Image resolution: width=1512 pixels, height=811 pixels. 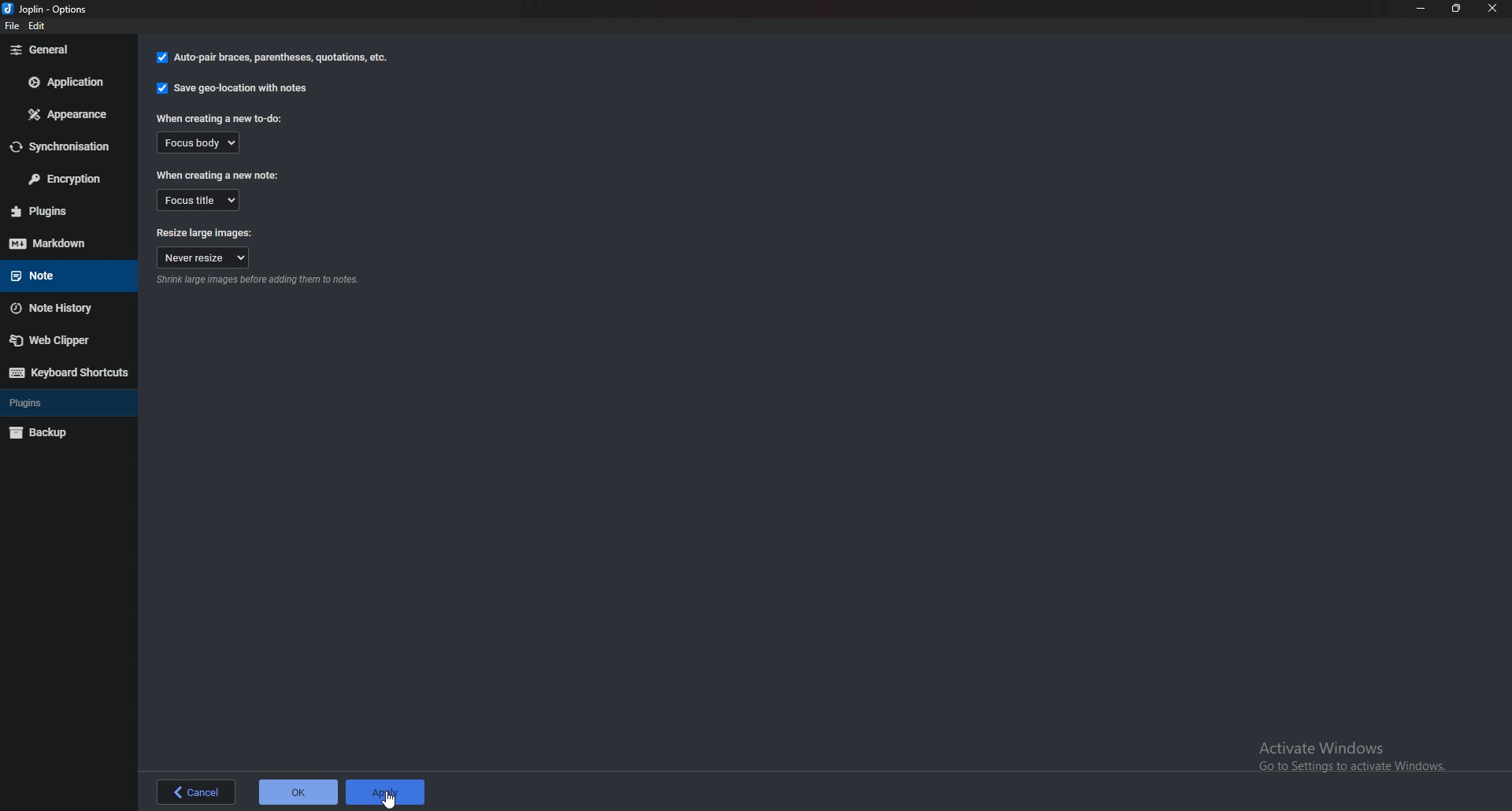 What do you see at coordinates (69, 180) in the screenshot?
I see `Encryption` at bounding box center [69, 180].